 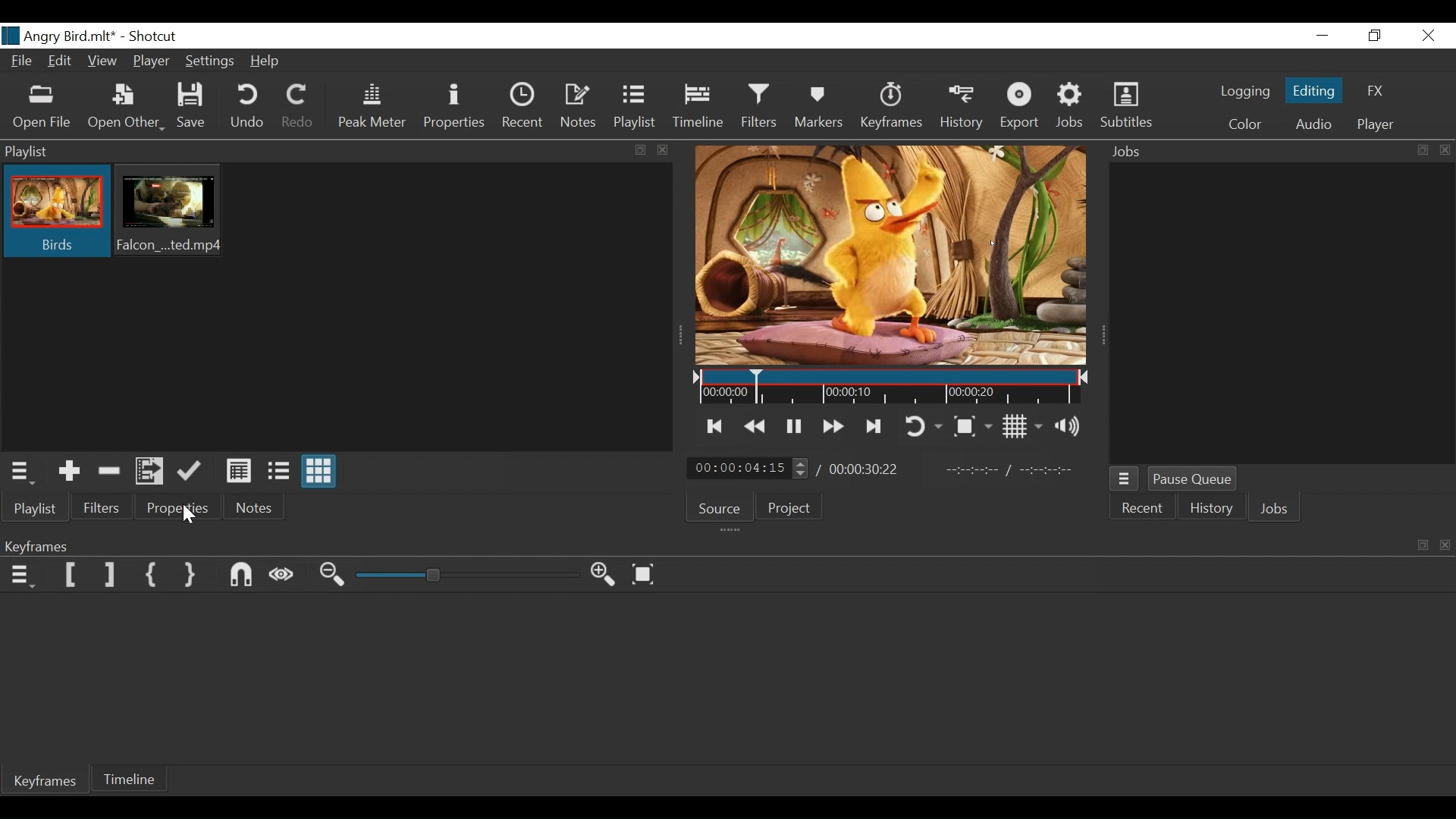 I want to click on View as Detail, so click(x=242, y=472).